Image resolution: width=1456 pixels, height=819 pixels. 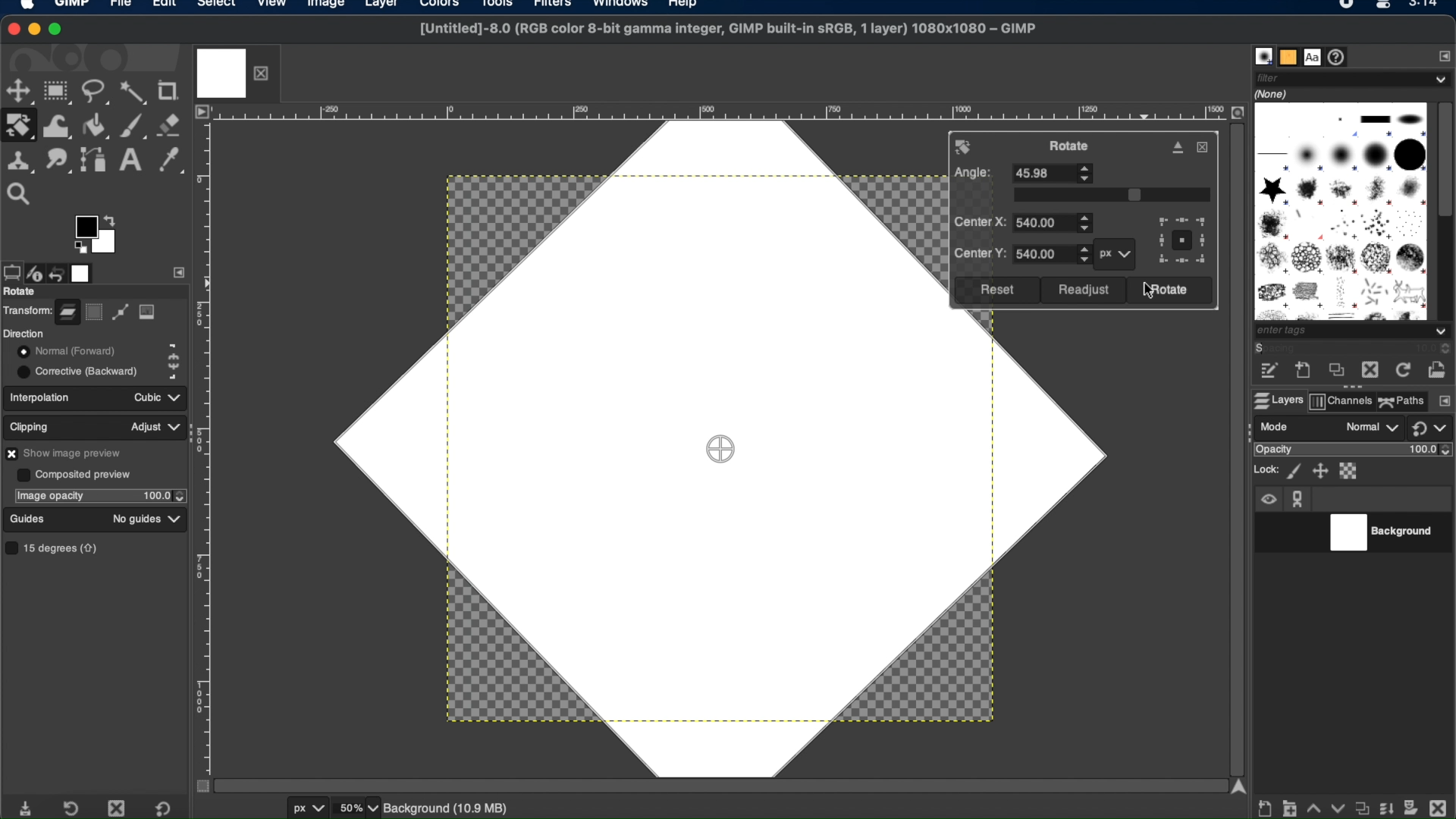 I want to click on merge layer and properties, so click(x=1384, y=805).